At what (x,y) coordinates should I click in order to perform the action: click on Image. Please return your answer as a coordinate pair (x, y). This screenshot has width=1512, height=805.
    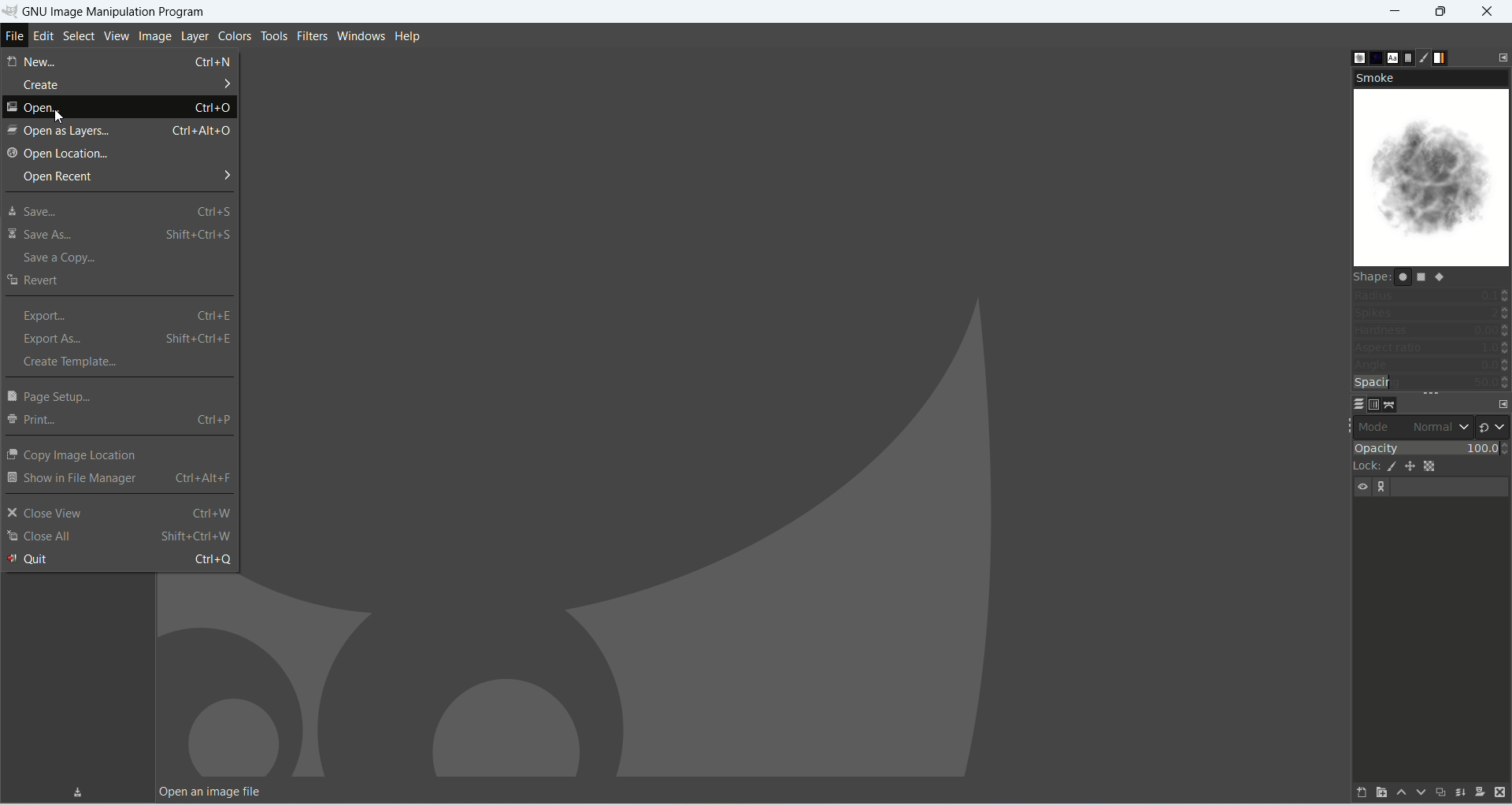
    Looking at the image, I should click on (150, 34).